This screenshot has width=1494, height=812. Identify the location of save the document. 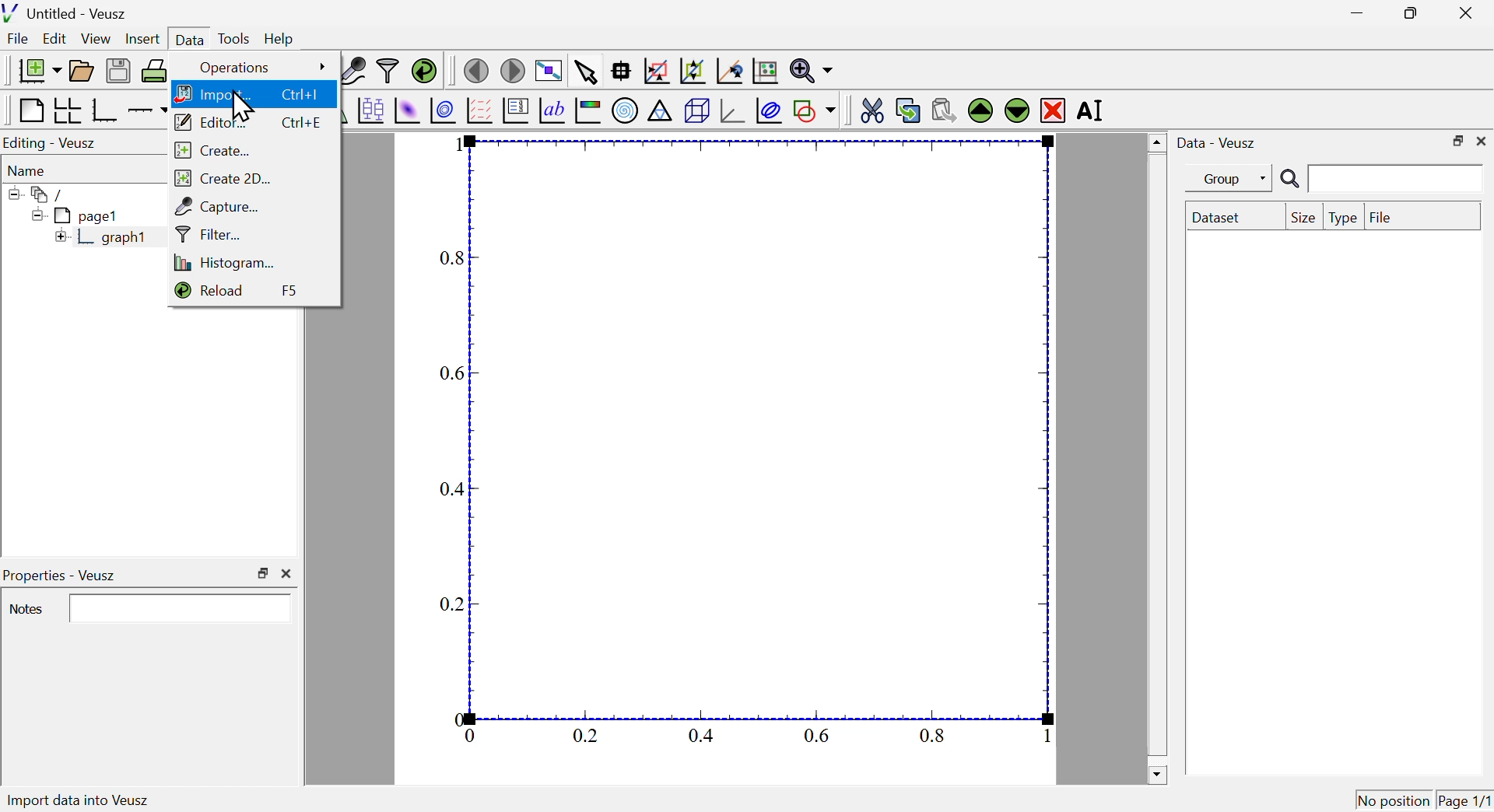
(118, 72).